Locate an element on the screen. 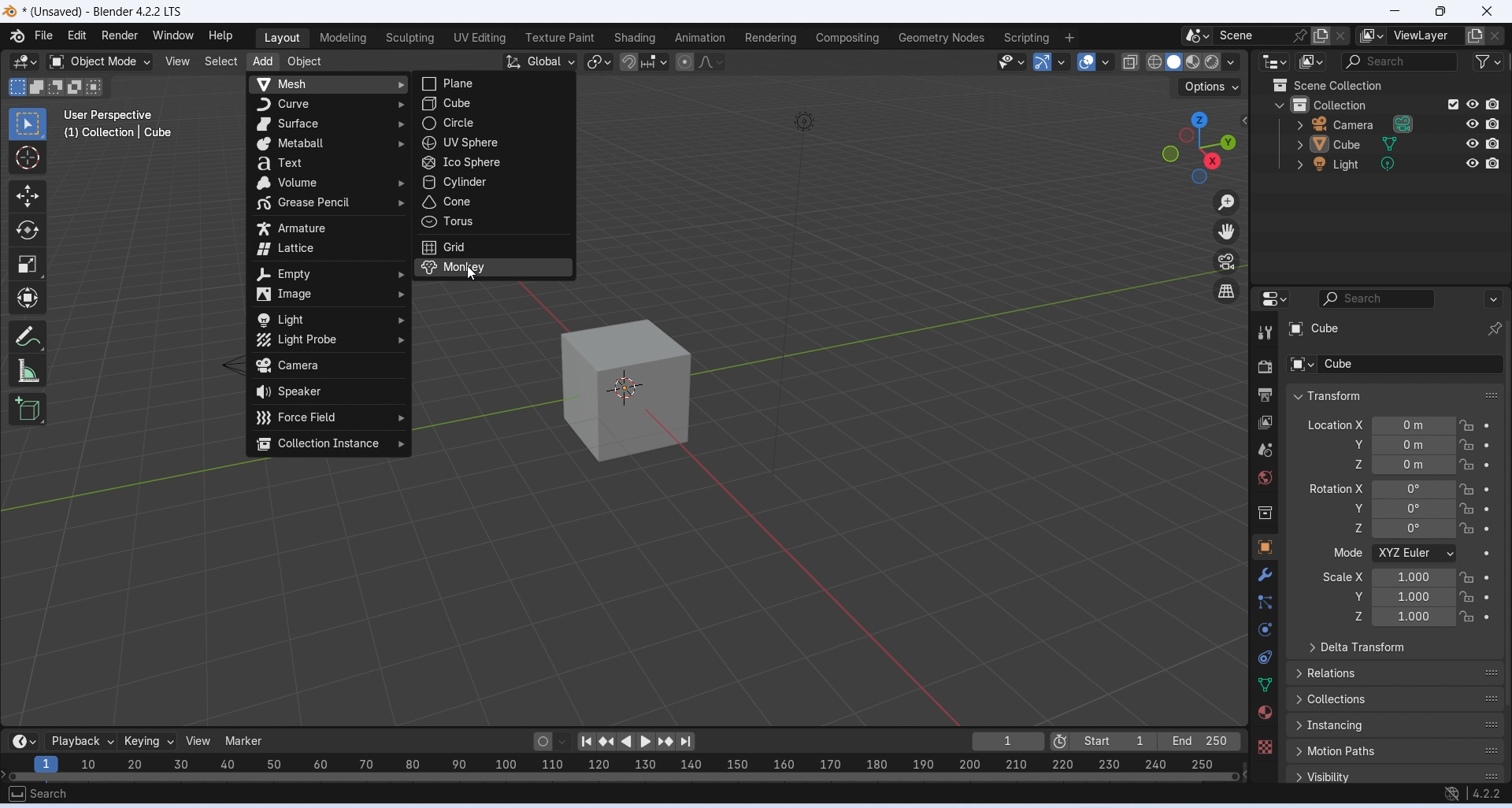 The width and height of the screenshot is (1512, 808). constraints is located at coordinates (1265, 658).